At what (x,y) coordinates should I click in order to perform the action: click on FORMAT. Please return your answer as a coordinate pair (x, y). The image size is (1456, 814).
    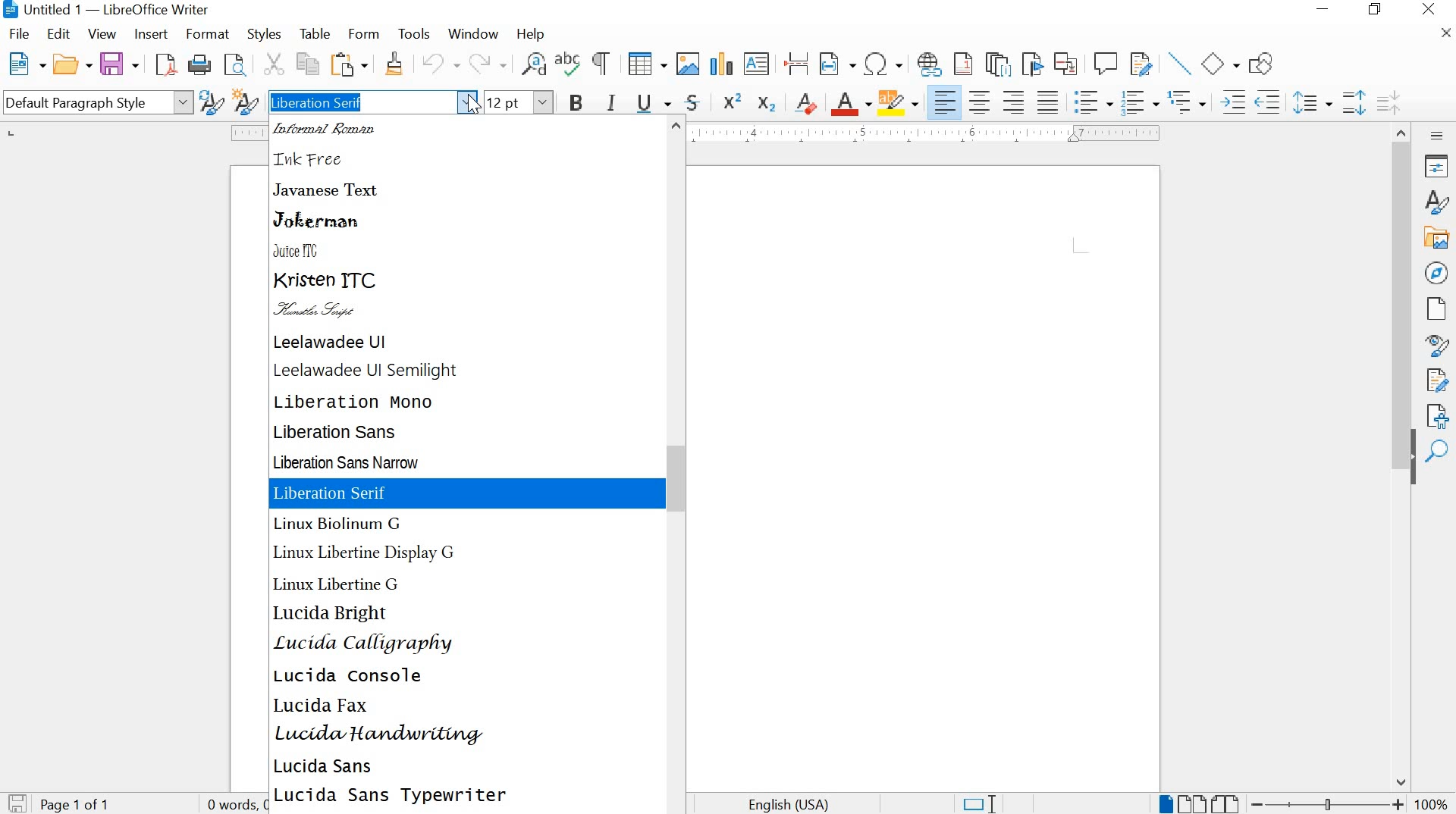
    Looking at the image, I should click on (209, 33).